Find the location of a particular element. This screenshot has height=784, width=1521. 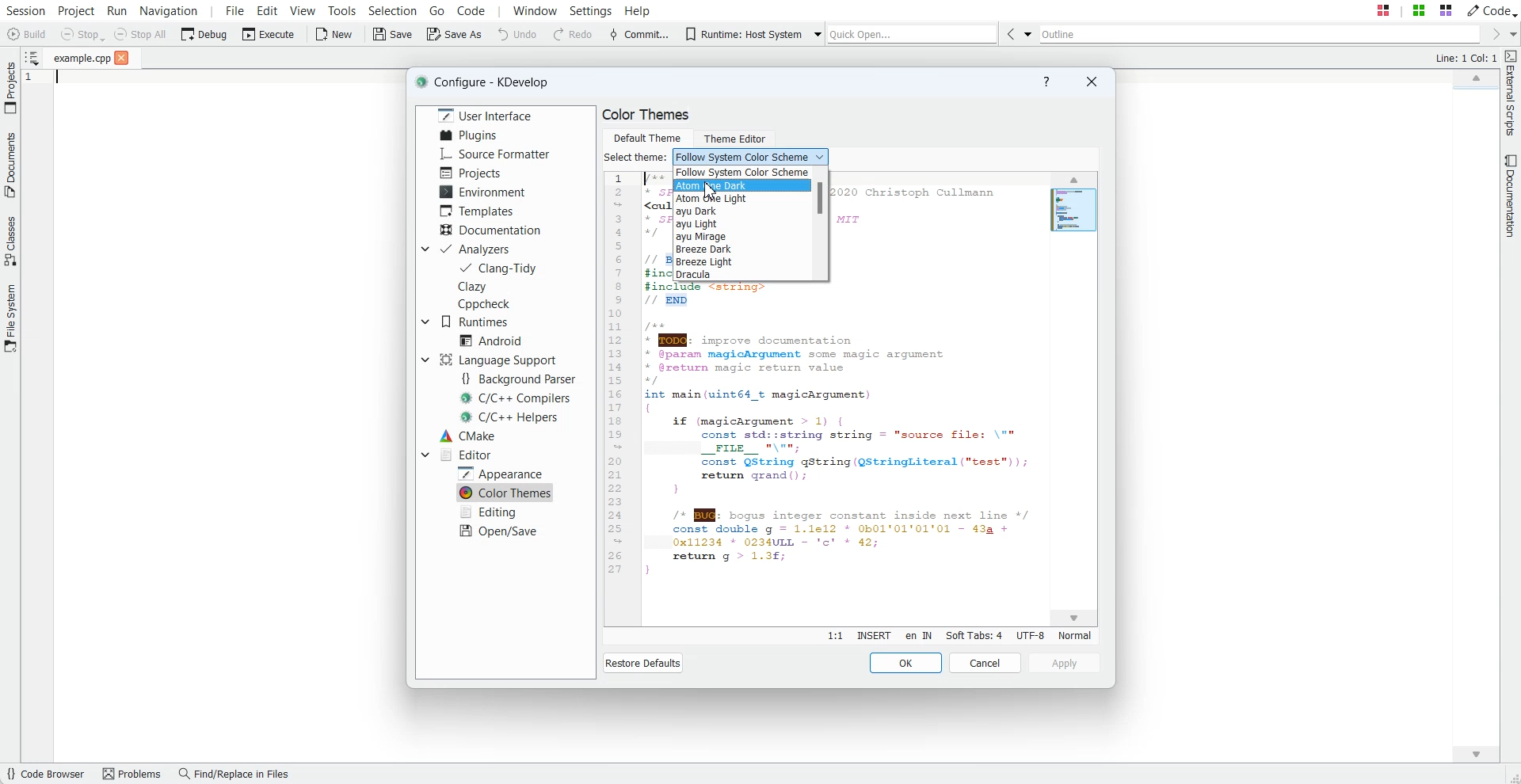

File System is located at coordinates (10, 318).